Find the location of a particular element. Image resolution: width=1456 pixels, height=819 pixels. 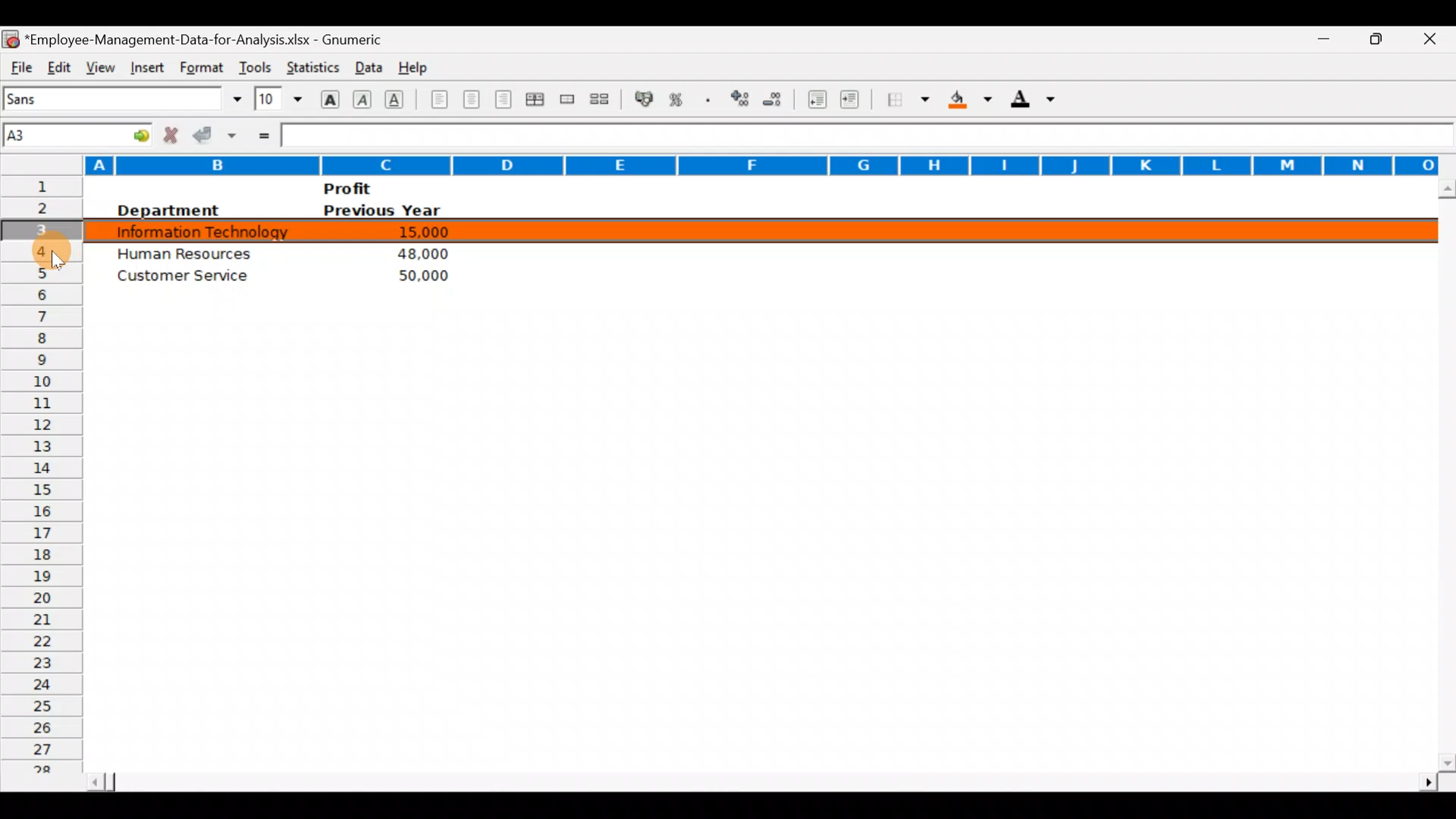

Minimize is located at coordinates (1315, 39).